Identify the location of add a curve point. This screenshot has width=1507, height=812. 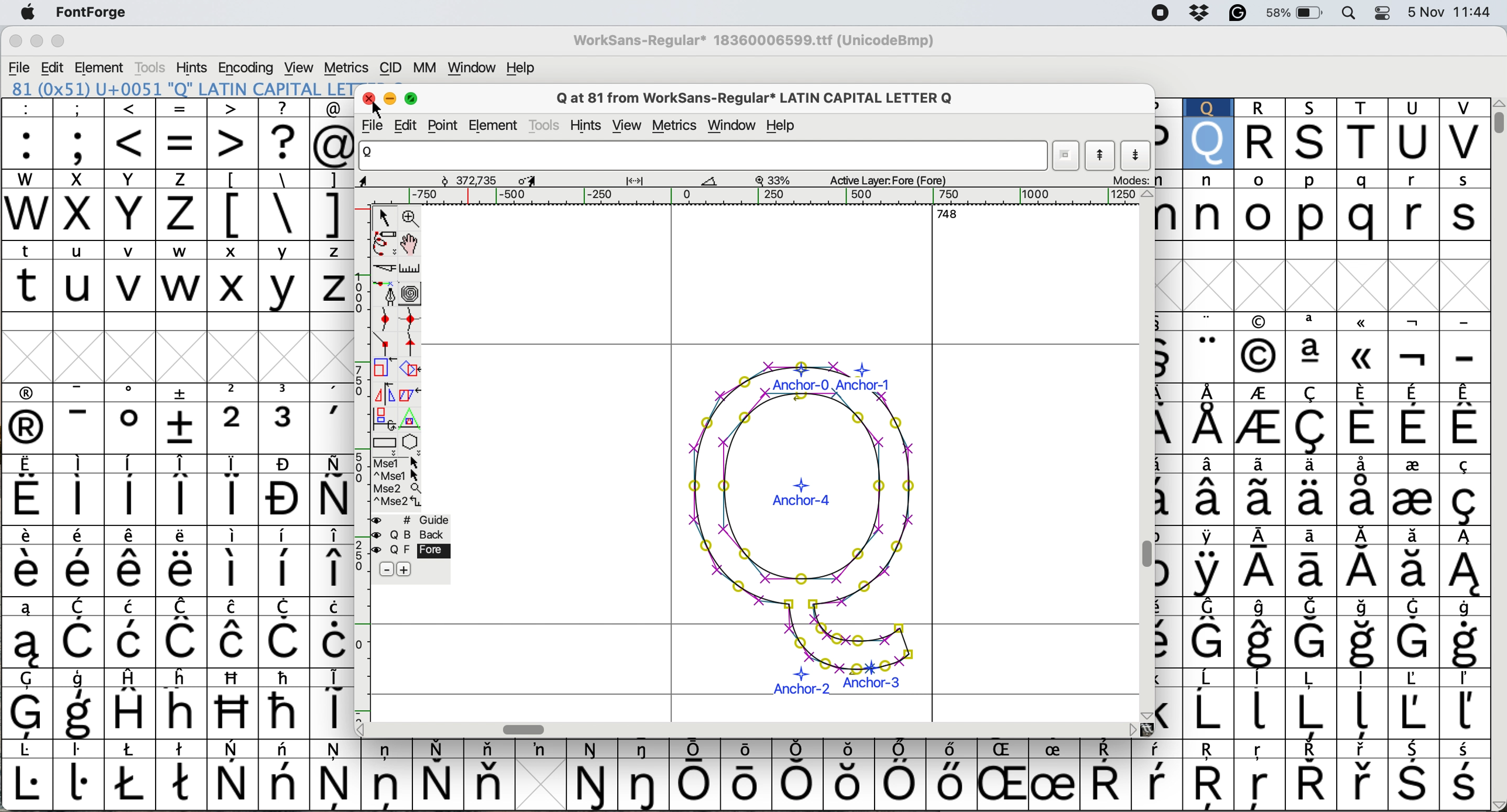
(383, 319).